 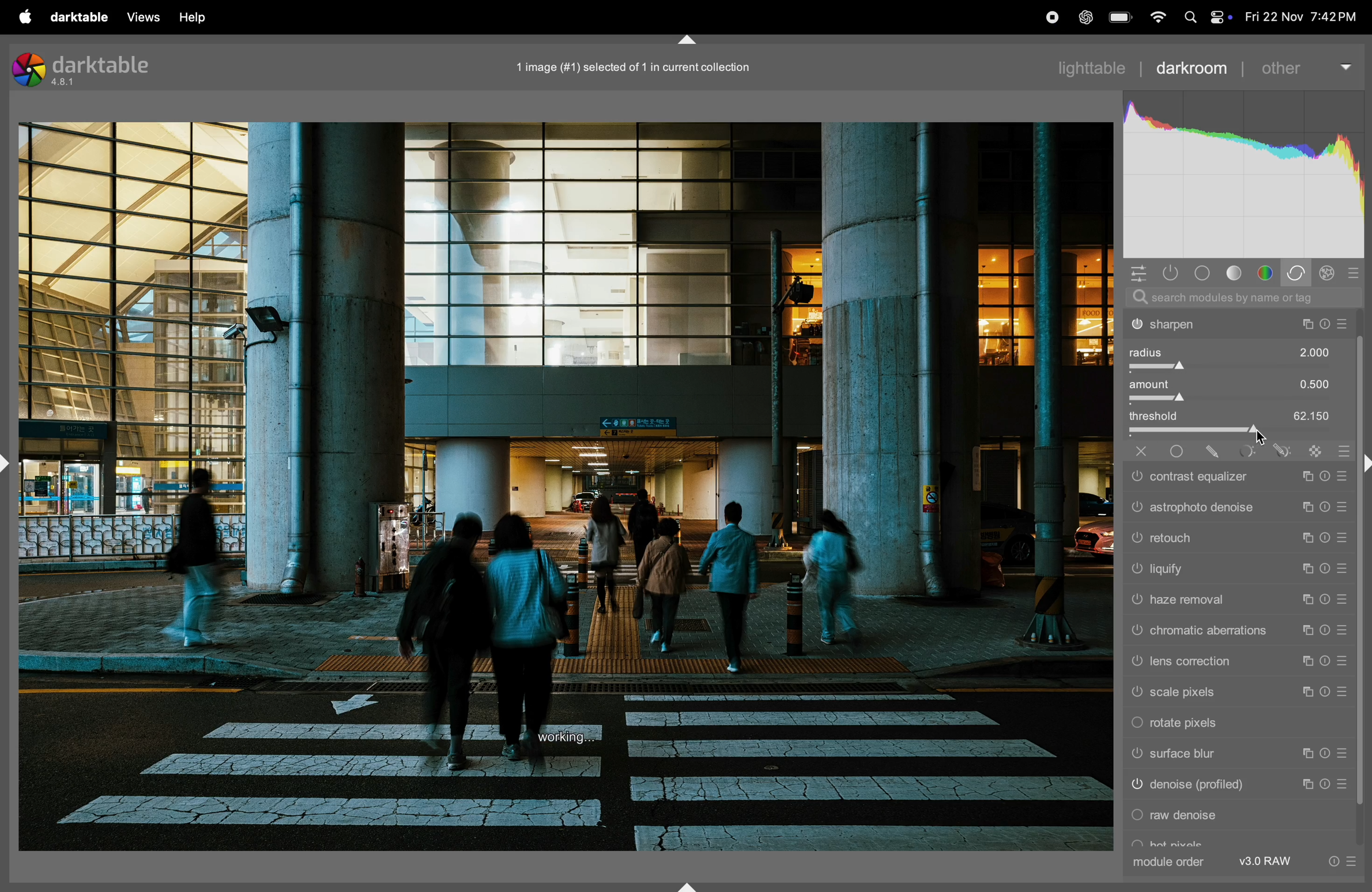 What do you see at coordinates (1139, 273) in the screenshot?
I see `quick acess panel` at bounding box center [1139, 273].